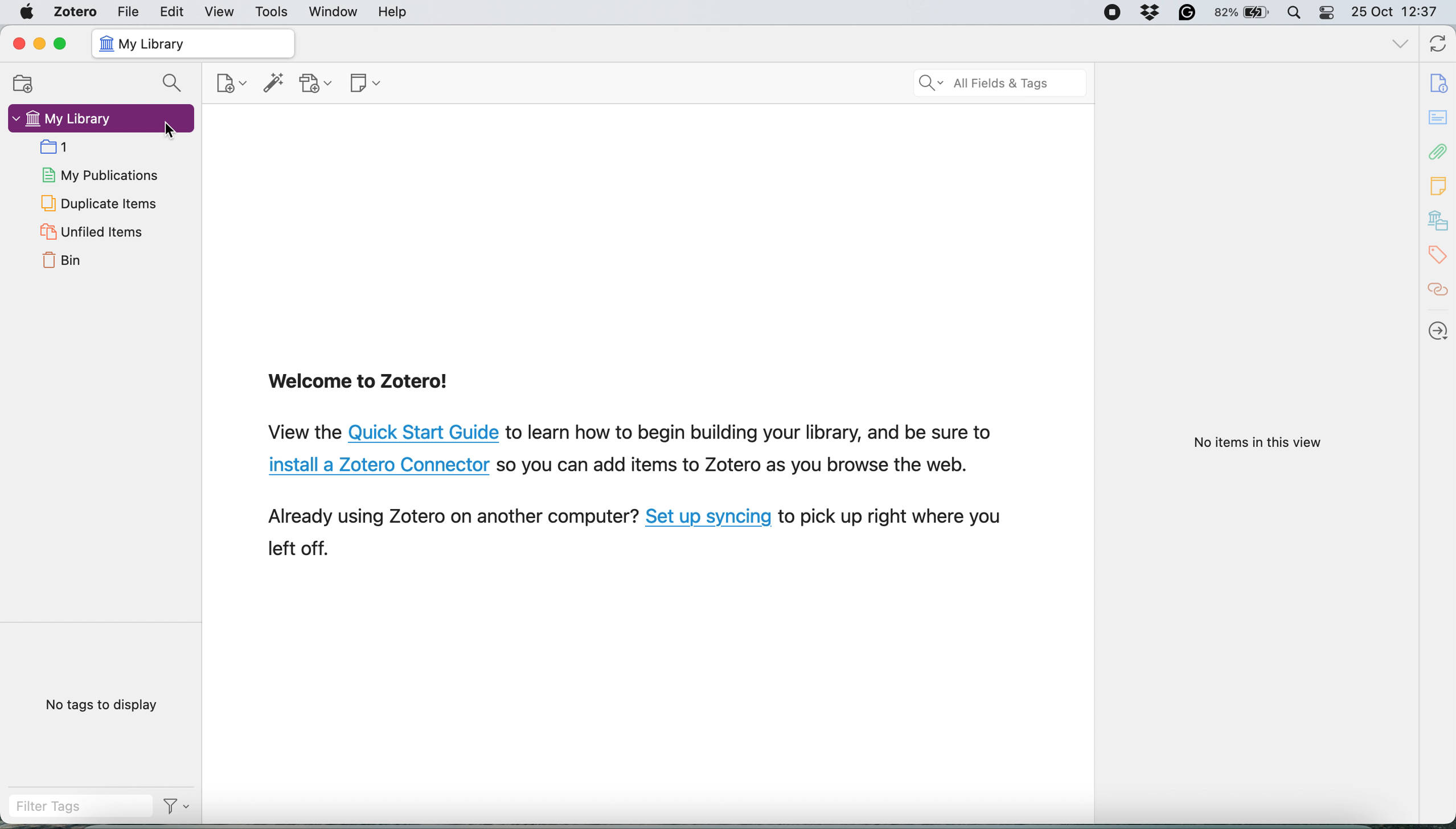 The width and height of the screenshot is (1456, 829). I want to click on attachements, so click(1439, 154).